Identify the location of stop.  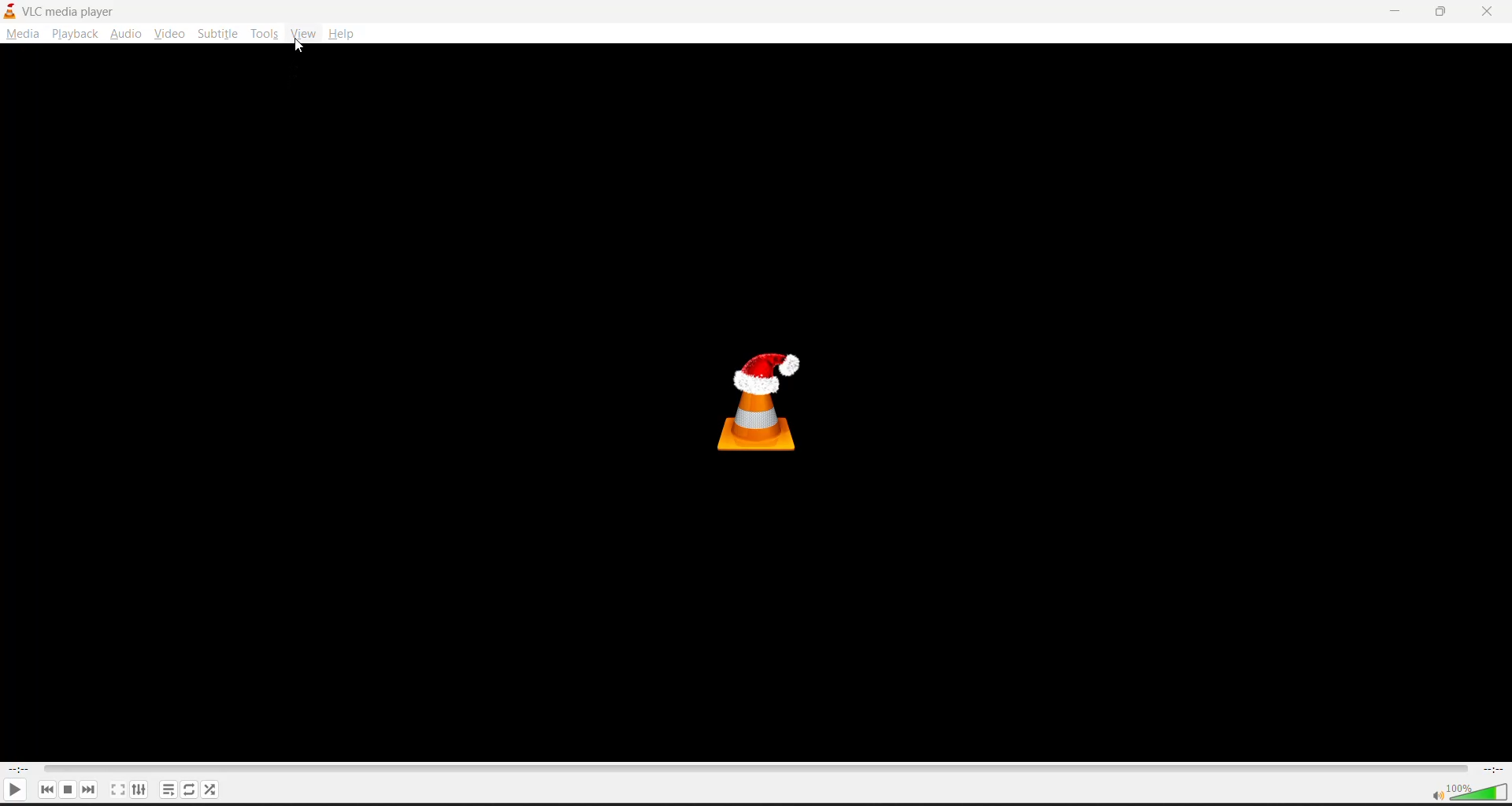
(69, 789).